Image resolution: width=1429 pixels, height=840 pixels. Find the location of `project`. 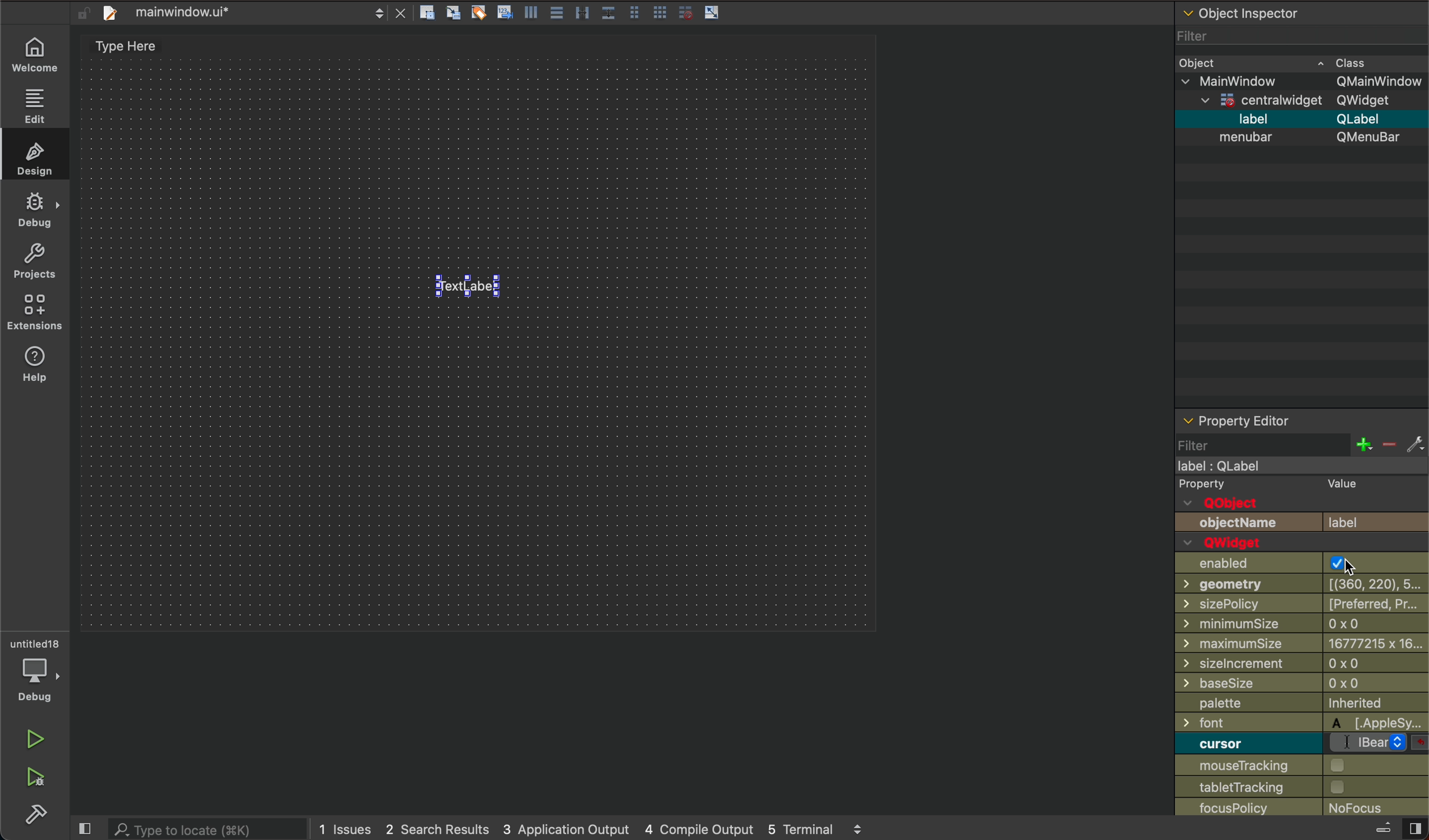

project is located at coordinates (34, 264).